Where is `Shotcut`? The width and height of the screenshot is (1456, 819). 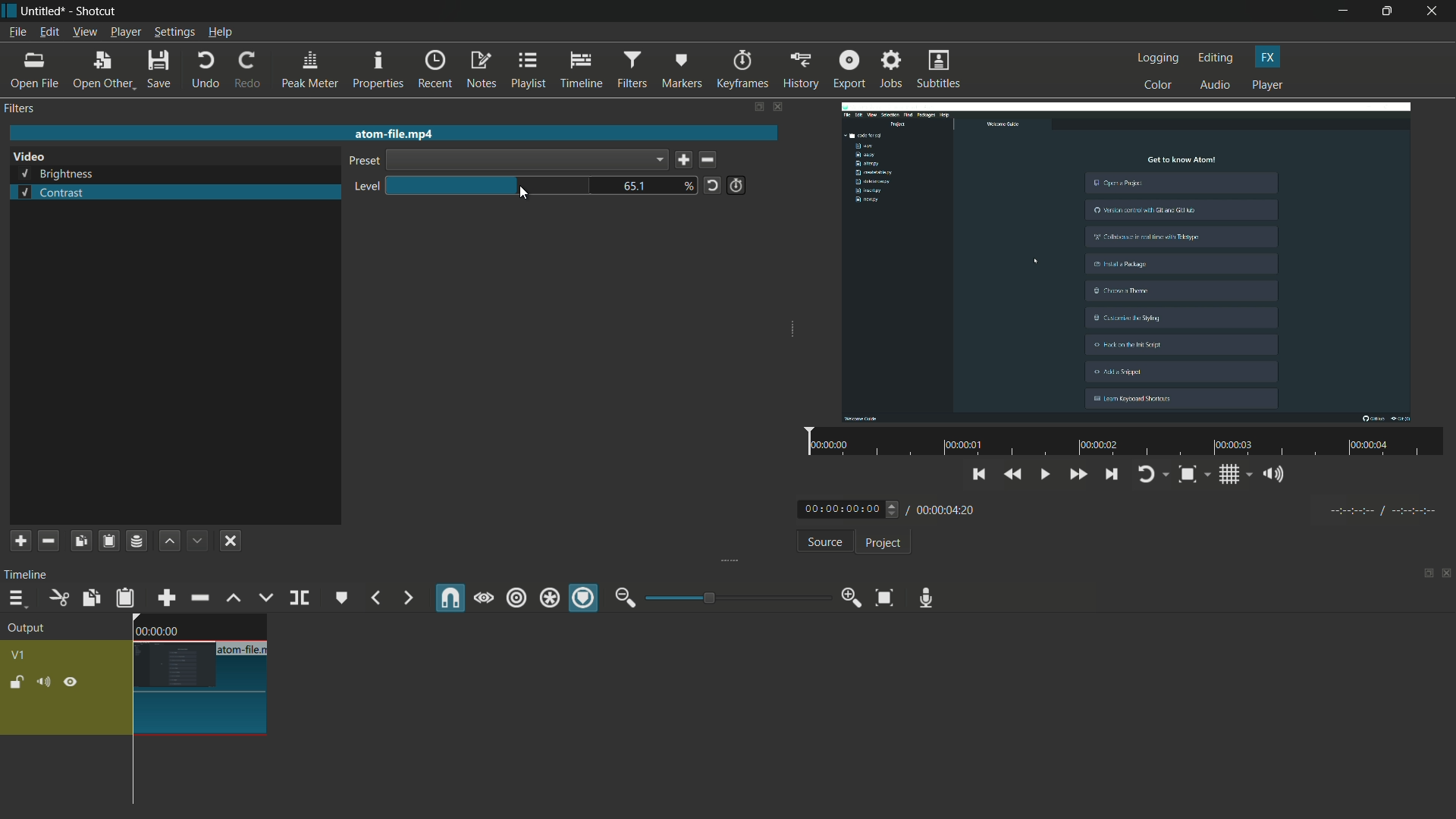
Shotcut is located at coordinates (97, 12).